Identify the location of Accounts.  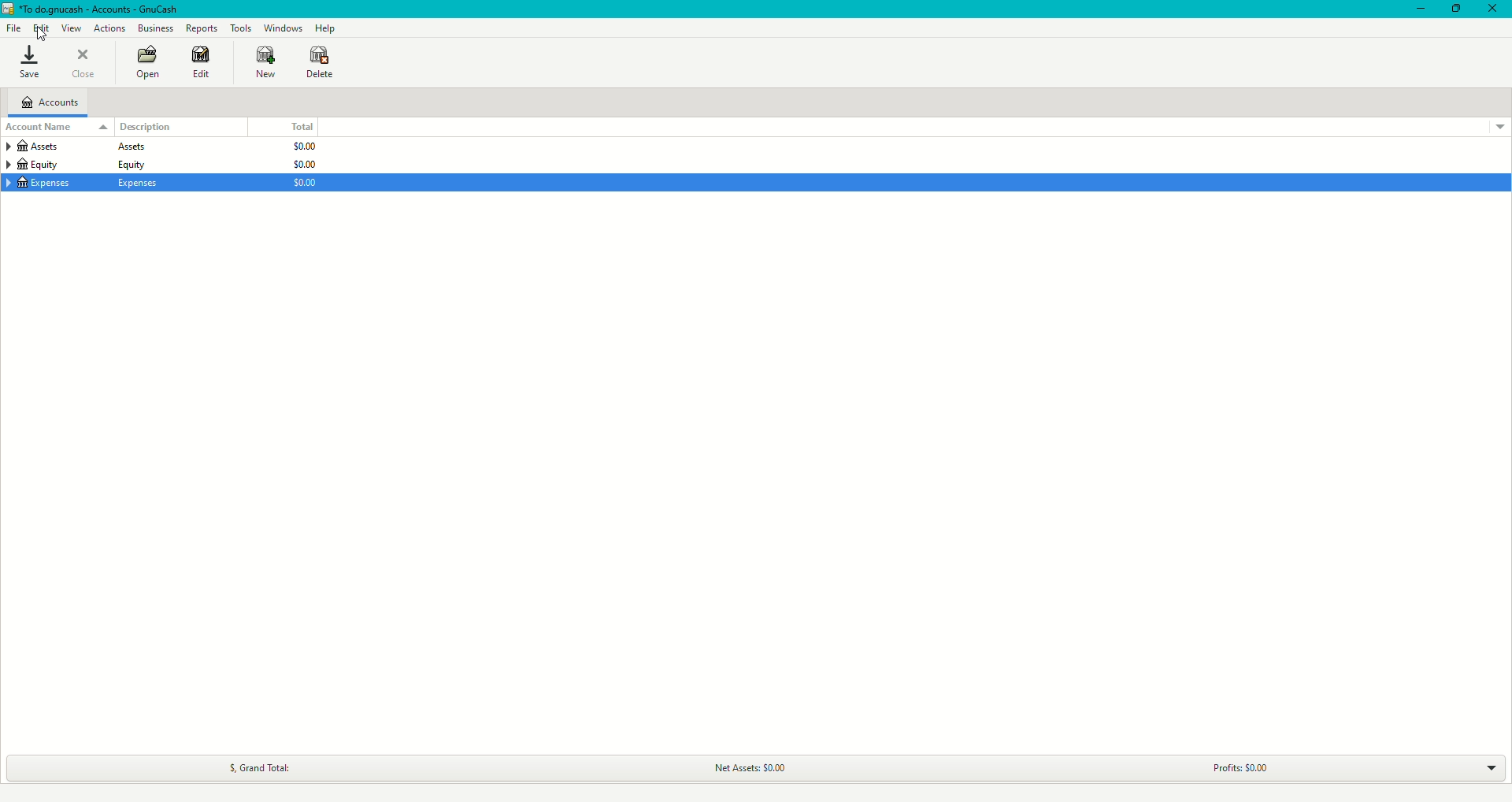
(50, 102).